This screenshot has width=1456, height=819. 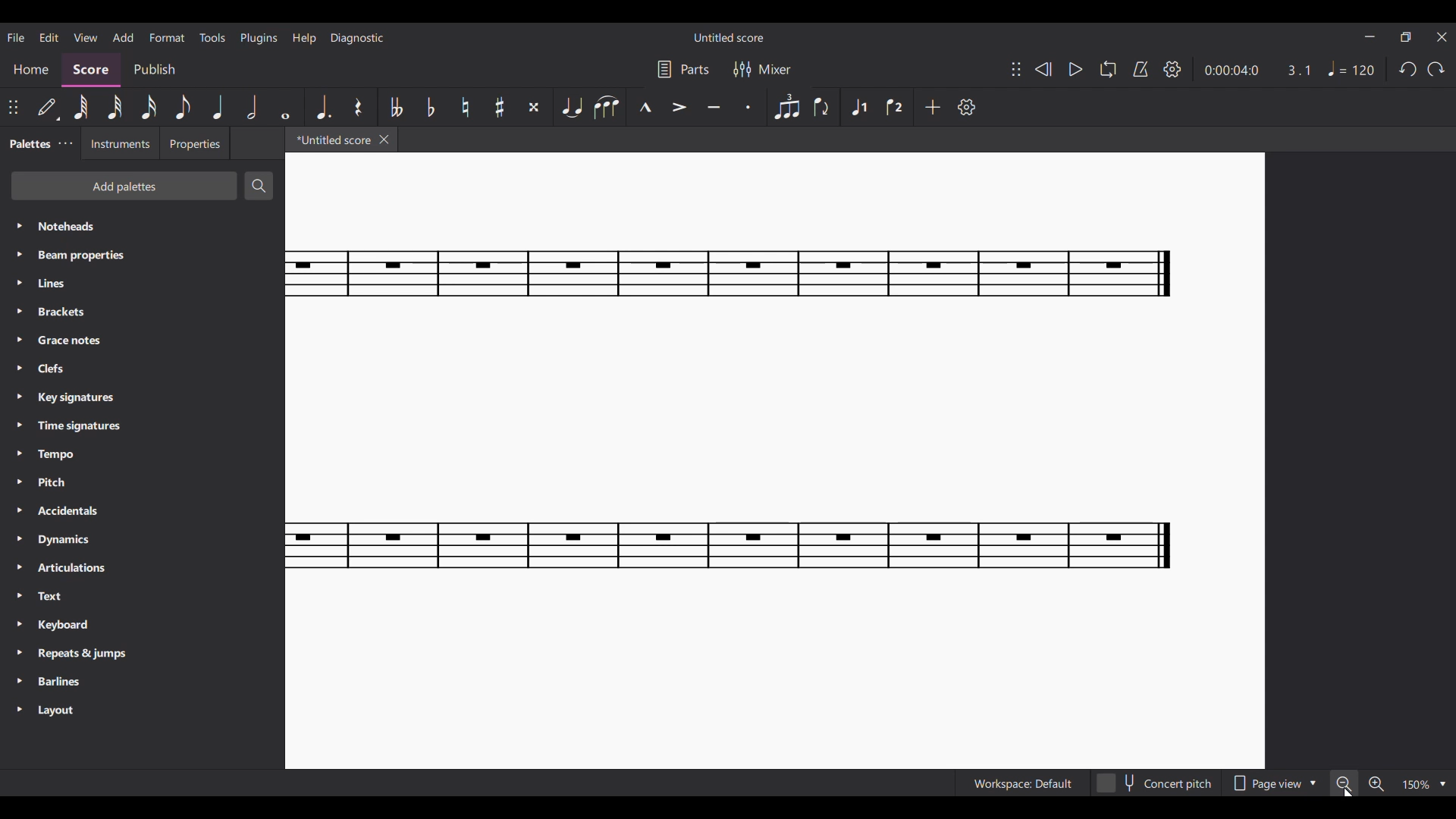 I want to click on Key signatures, so click(x=143, y=398).